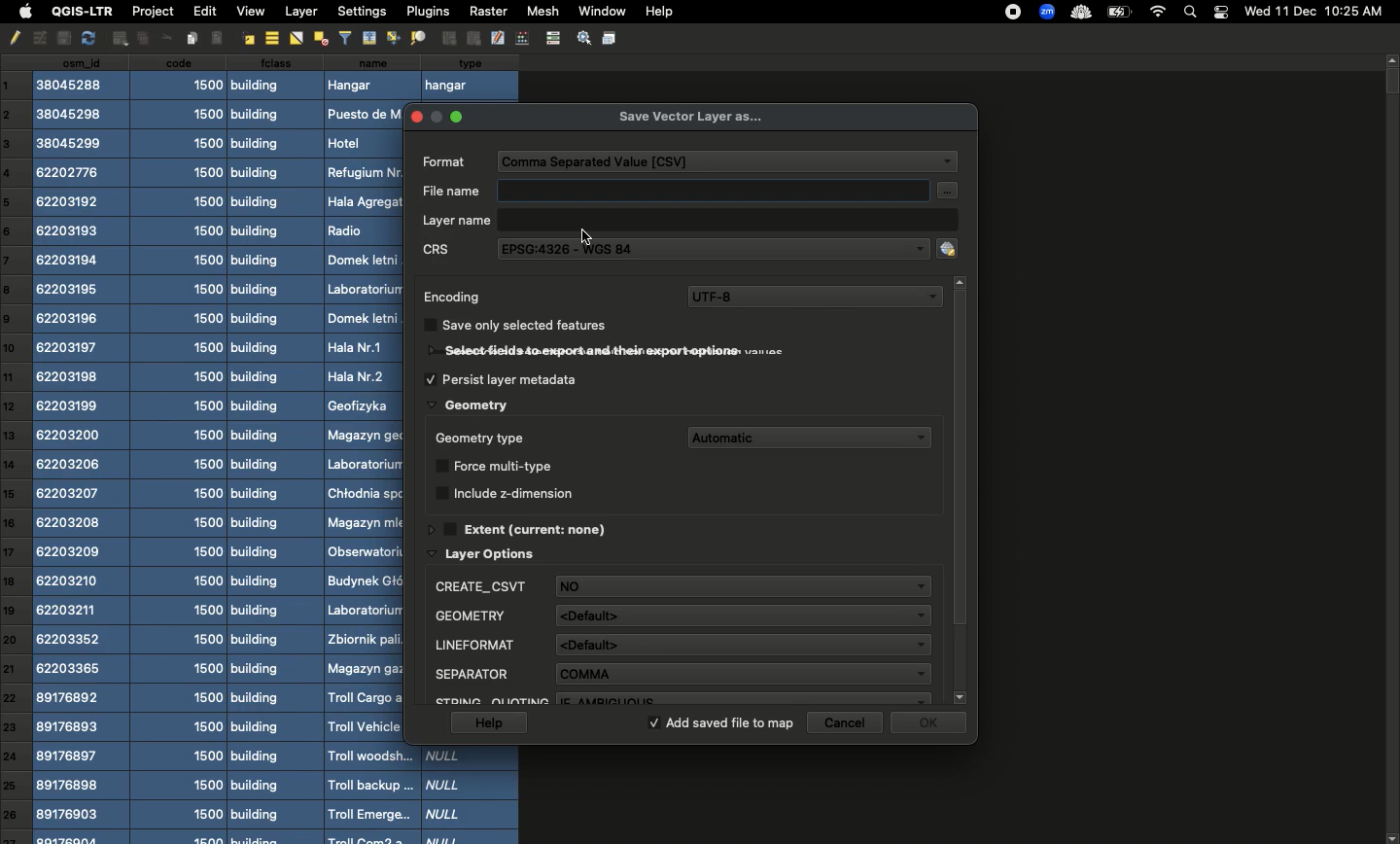 This screenshot has height=844, width=1400. What do you see at coordinates (1192, 11) in the screenshot?
I see `Search` at bounding box center [1192, 11].